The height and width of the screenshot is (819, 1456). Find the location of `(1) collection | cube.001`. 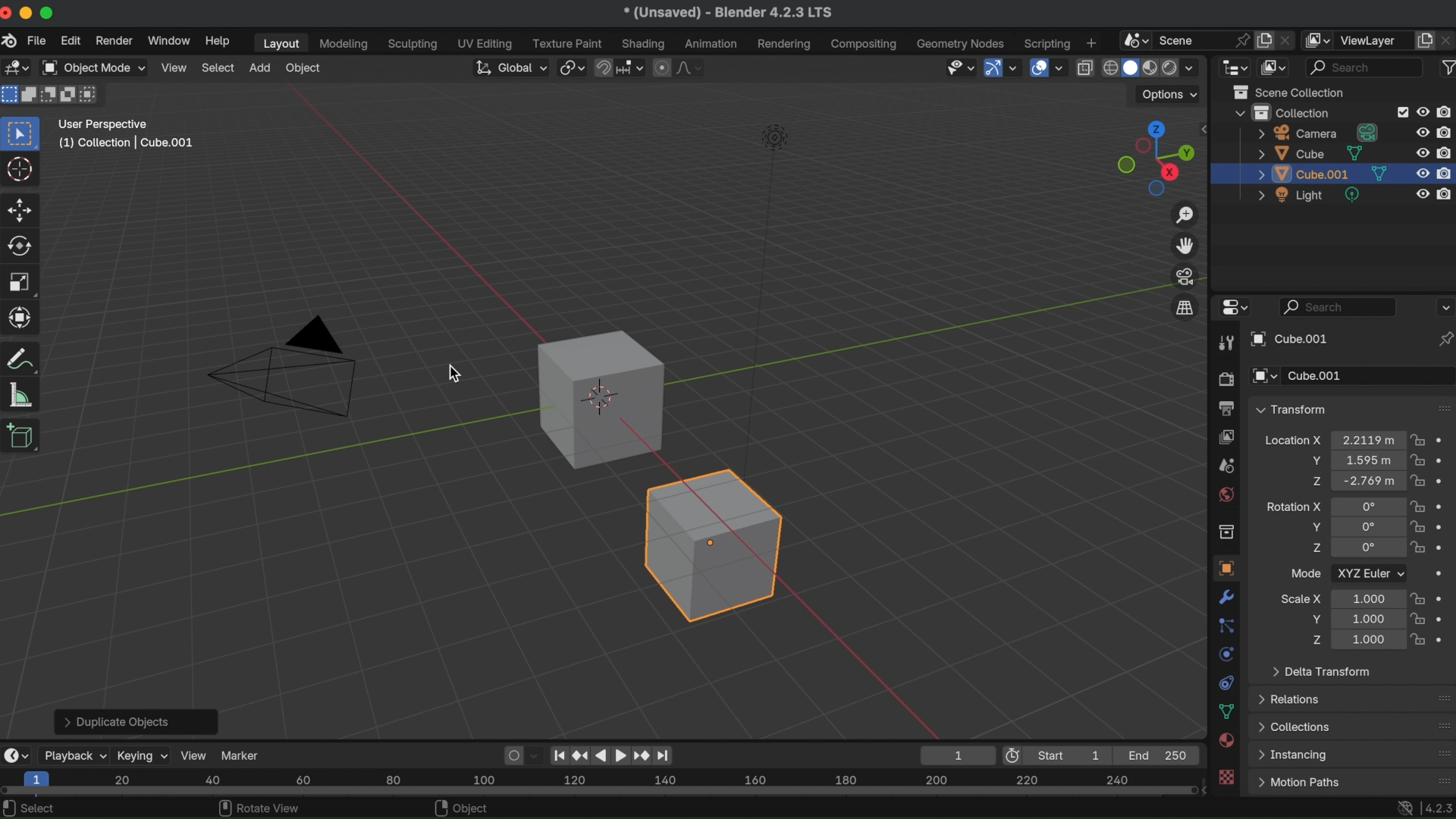

(1) collection | cube.001 is located at coordinates (127, 143).